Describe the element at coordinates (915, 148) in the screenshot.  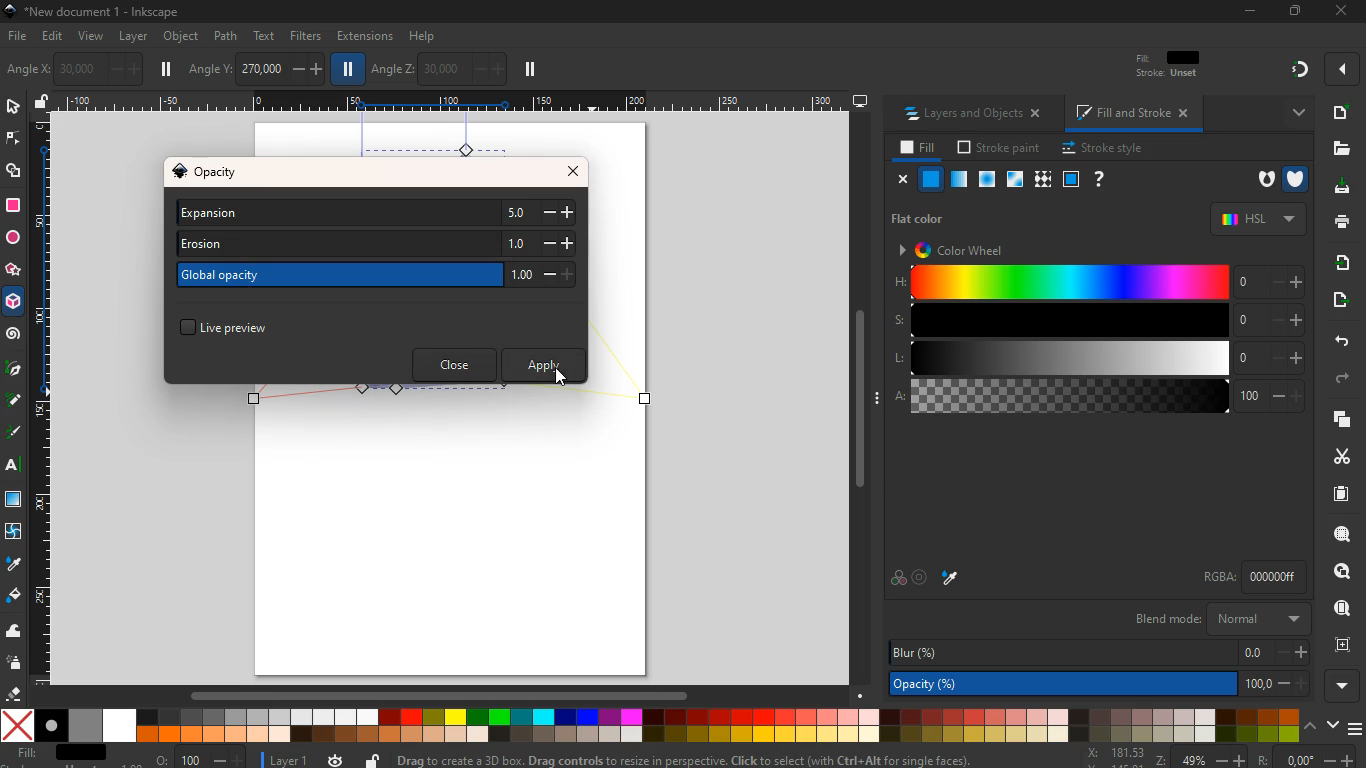
I see `fill` at that location.